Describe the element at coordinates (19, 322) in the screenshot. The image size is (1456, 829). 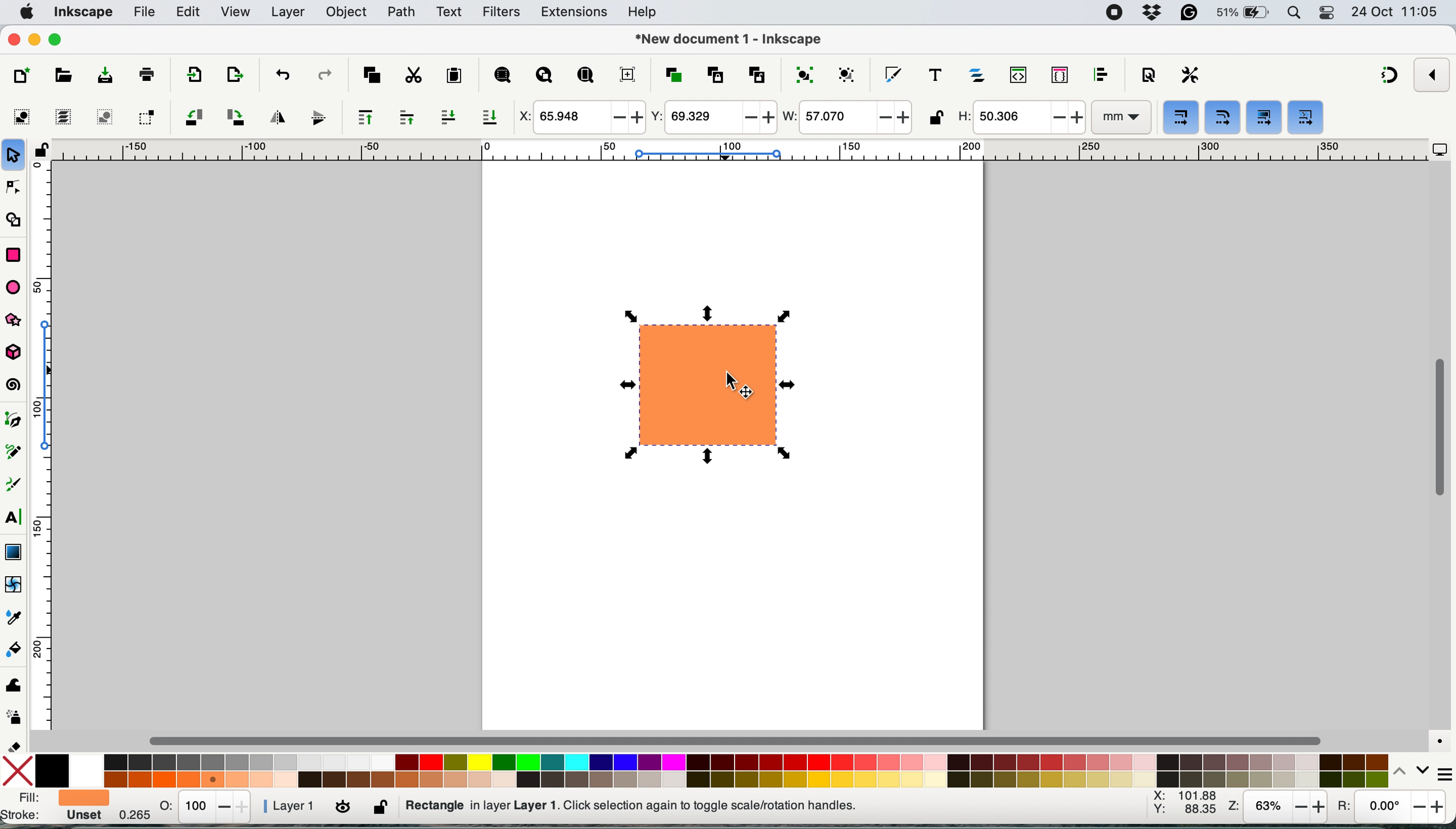
I see `star and polygon tool` at that location.